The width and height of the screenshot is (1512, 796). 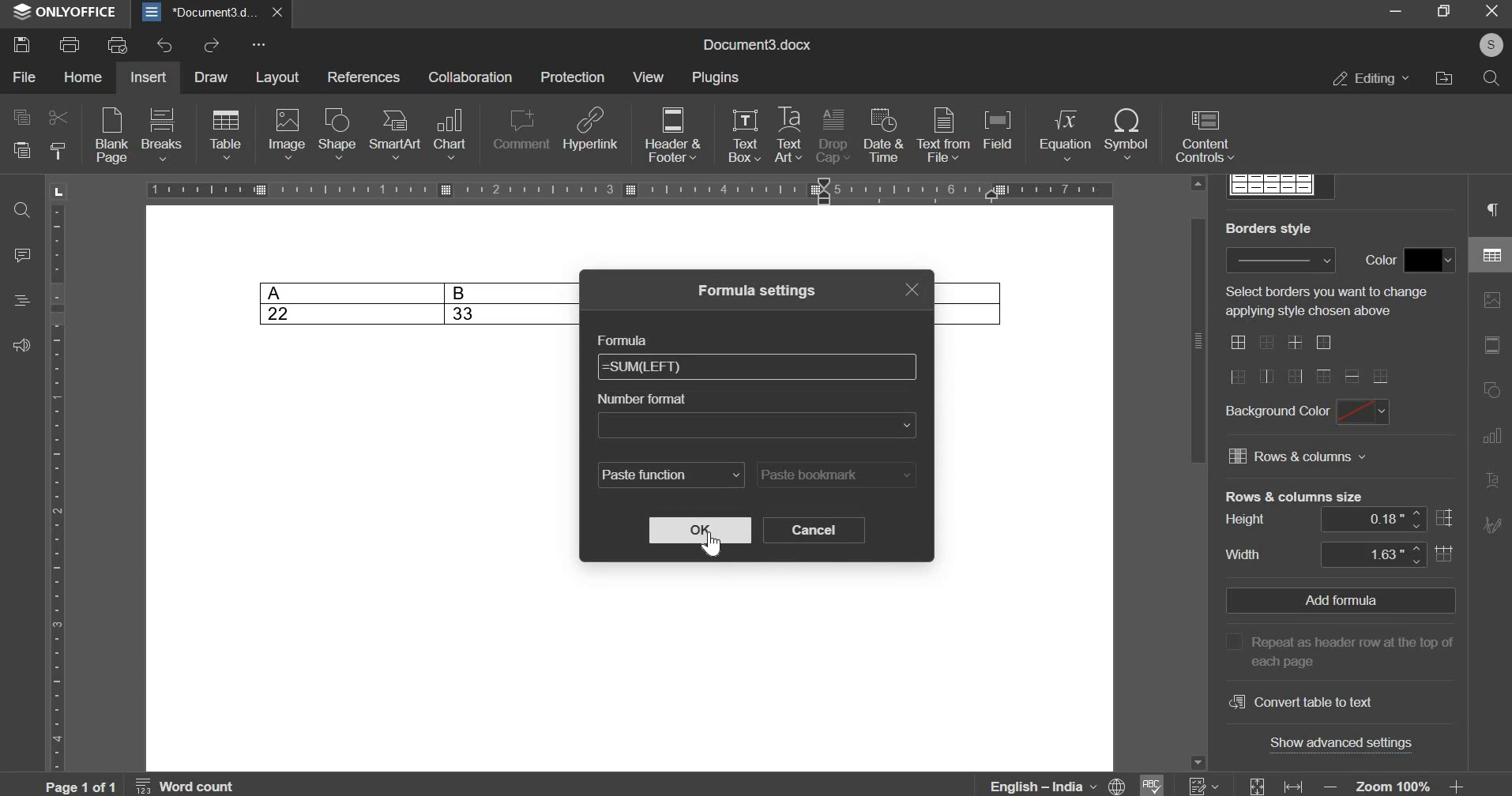 What do you see at coordinates (788, 135) in the screenshot?
I see `text art` at bounding box center [788, 135].